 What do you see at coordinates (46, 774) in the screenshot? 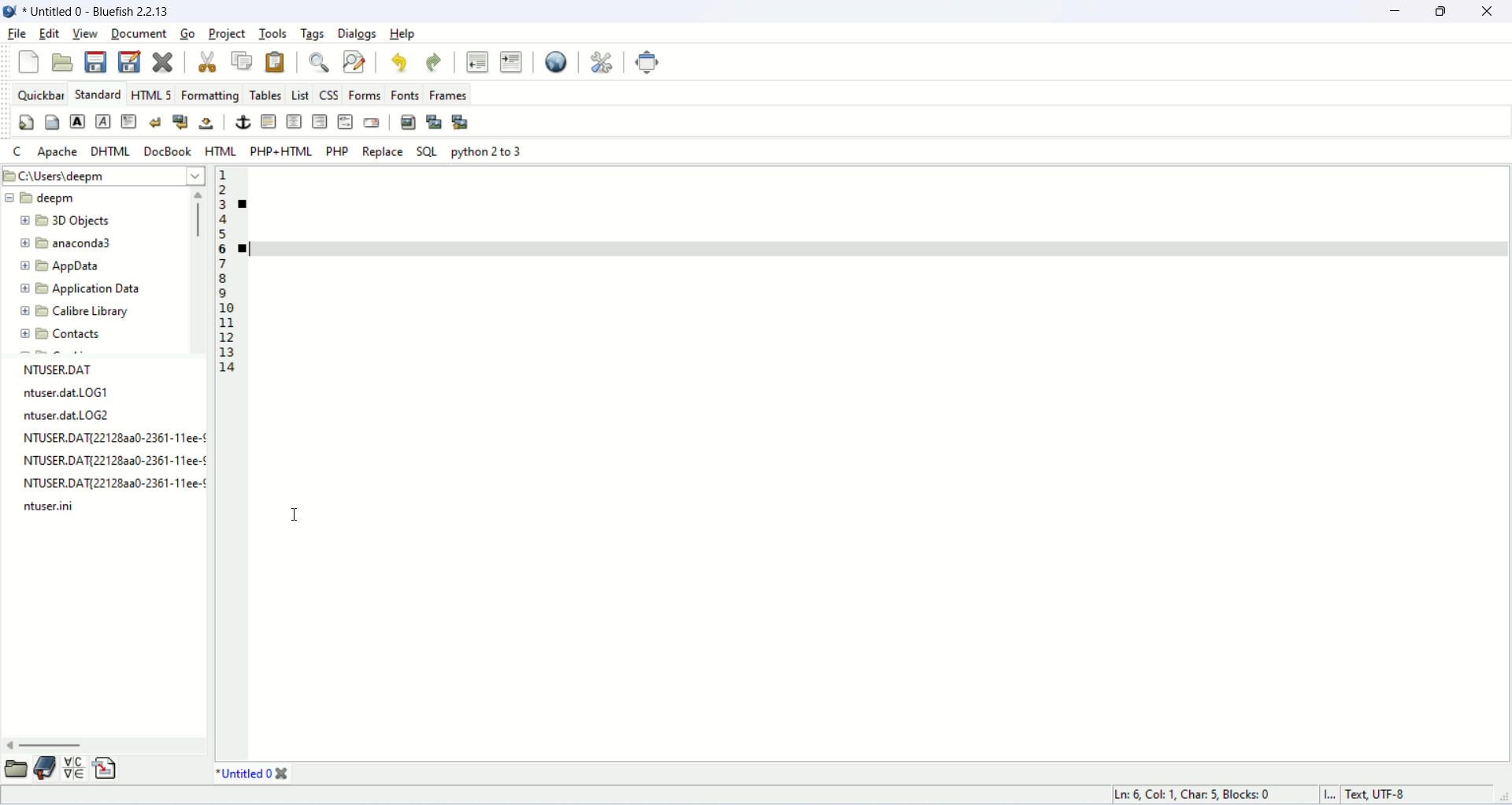
I see `bookmarks` at bounding box center [46, 774].